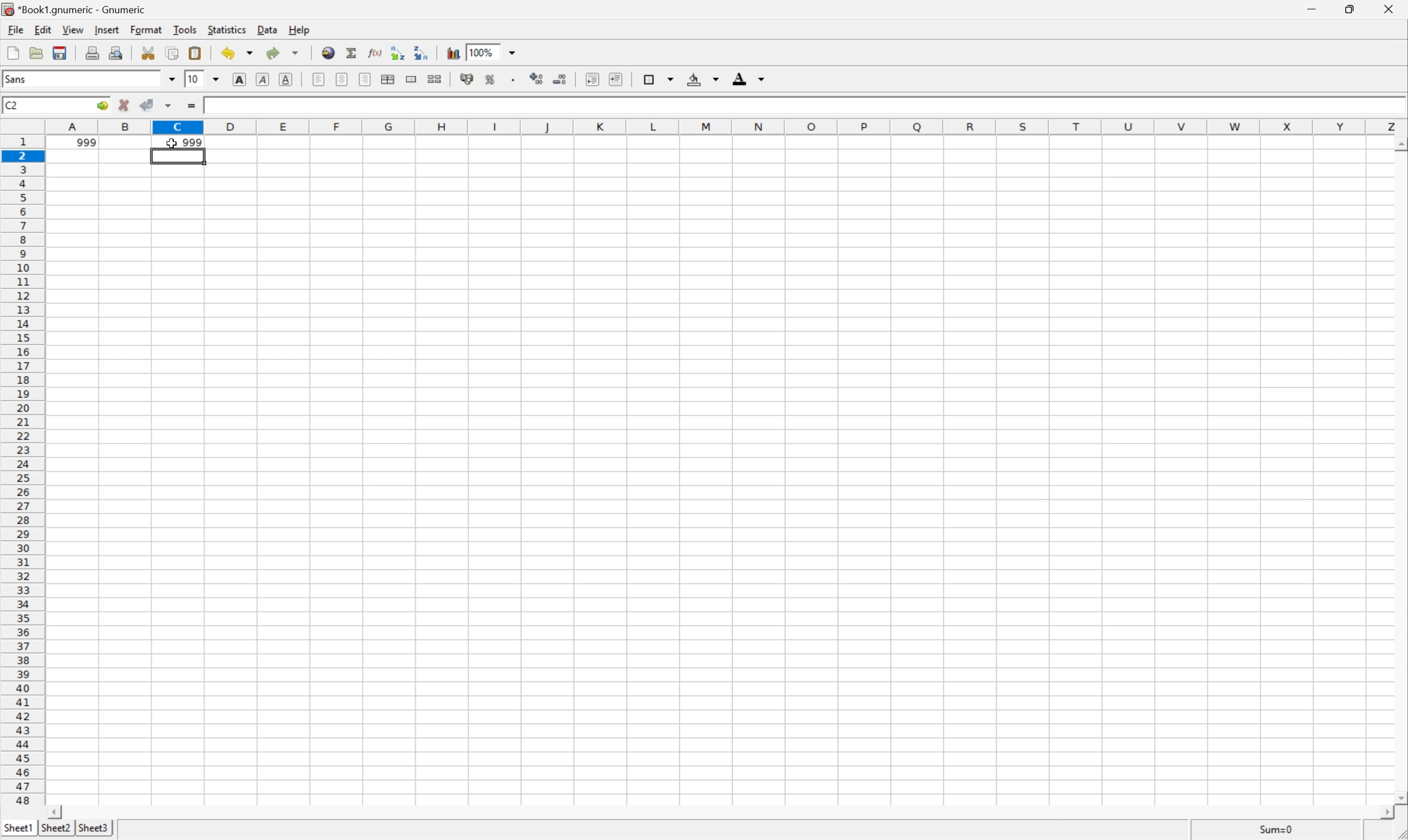 The height and width of the screenshot is (840, 1408). I want to click on increase number of decimals displayed, so click(536, 78).